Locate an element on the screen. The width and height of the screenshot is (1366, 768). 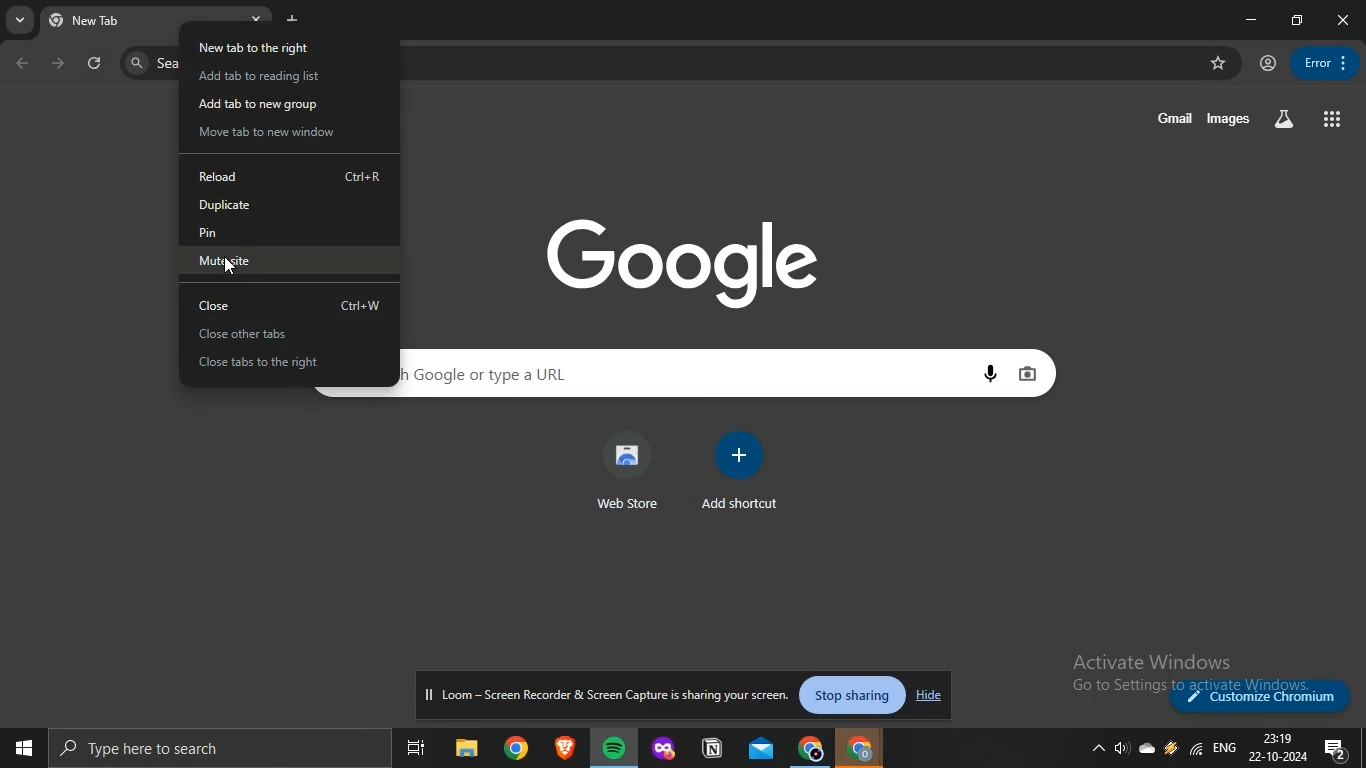
reload  is located at coordinates (289, 179).